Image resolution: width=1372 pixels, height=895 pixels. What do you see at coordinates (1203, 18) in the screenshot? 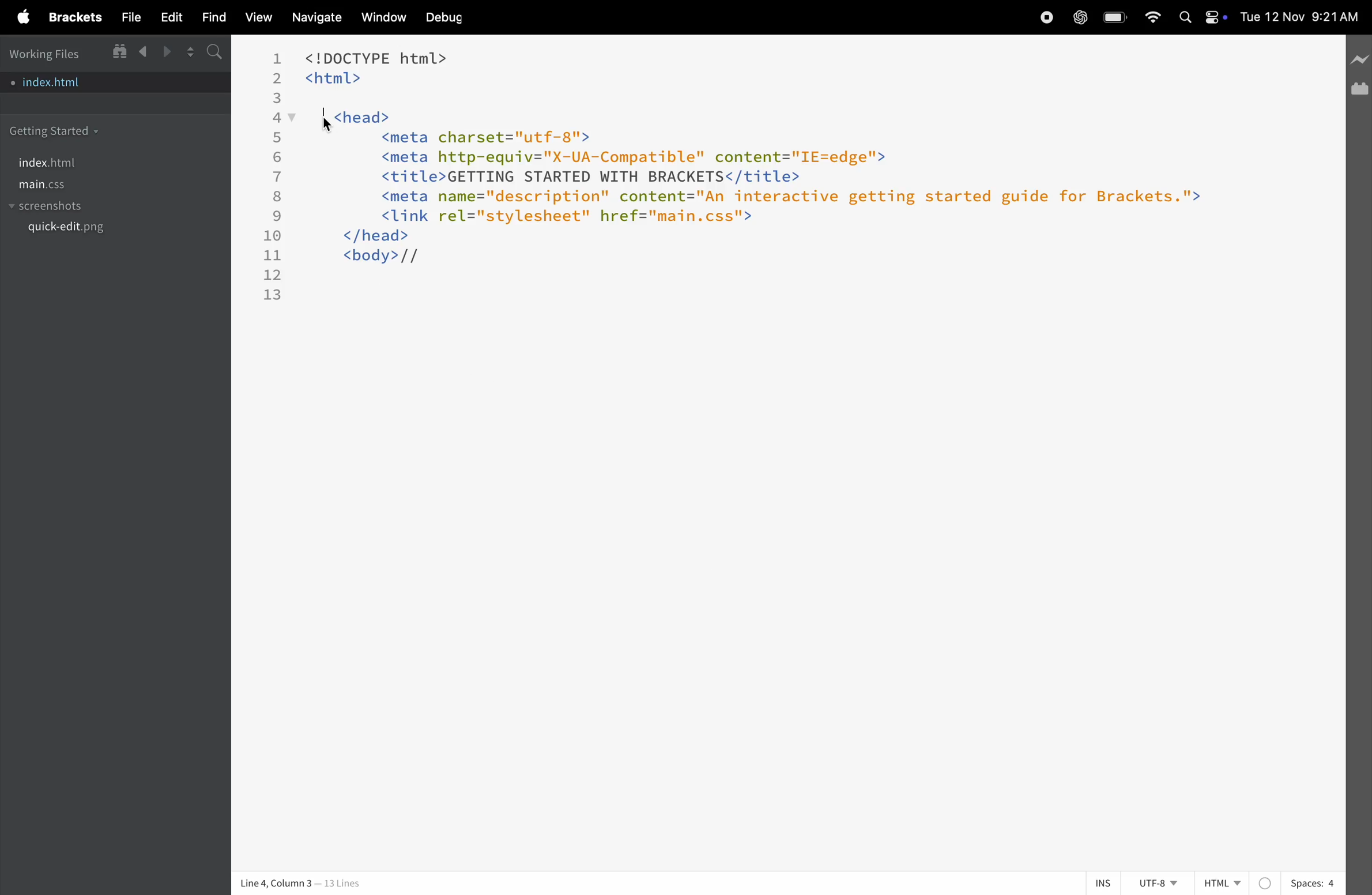
I see `apple widgets` at bounding box center [1203, 18].